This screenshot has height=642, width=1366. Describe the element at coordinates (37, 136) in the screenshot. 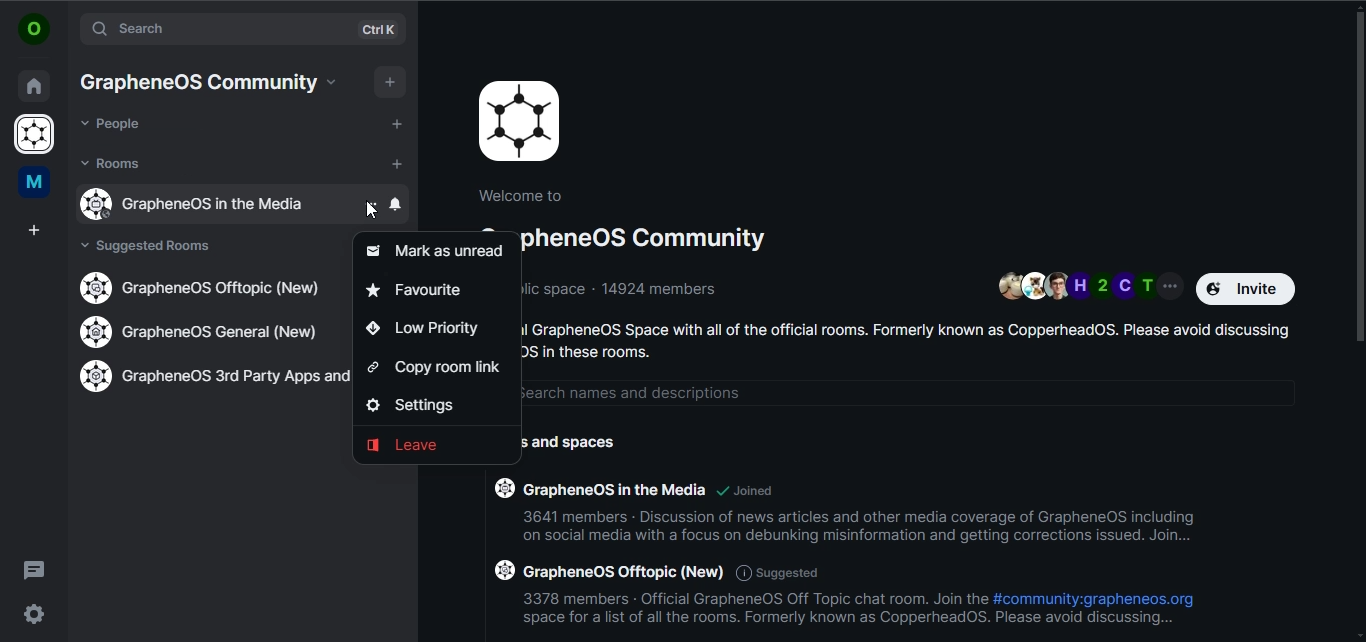

I see `grapheneOS` at that location.